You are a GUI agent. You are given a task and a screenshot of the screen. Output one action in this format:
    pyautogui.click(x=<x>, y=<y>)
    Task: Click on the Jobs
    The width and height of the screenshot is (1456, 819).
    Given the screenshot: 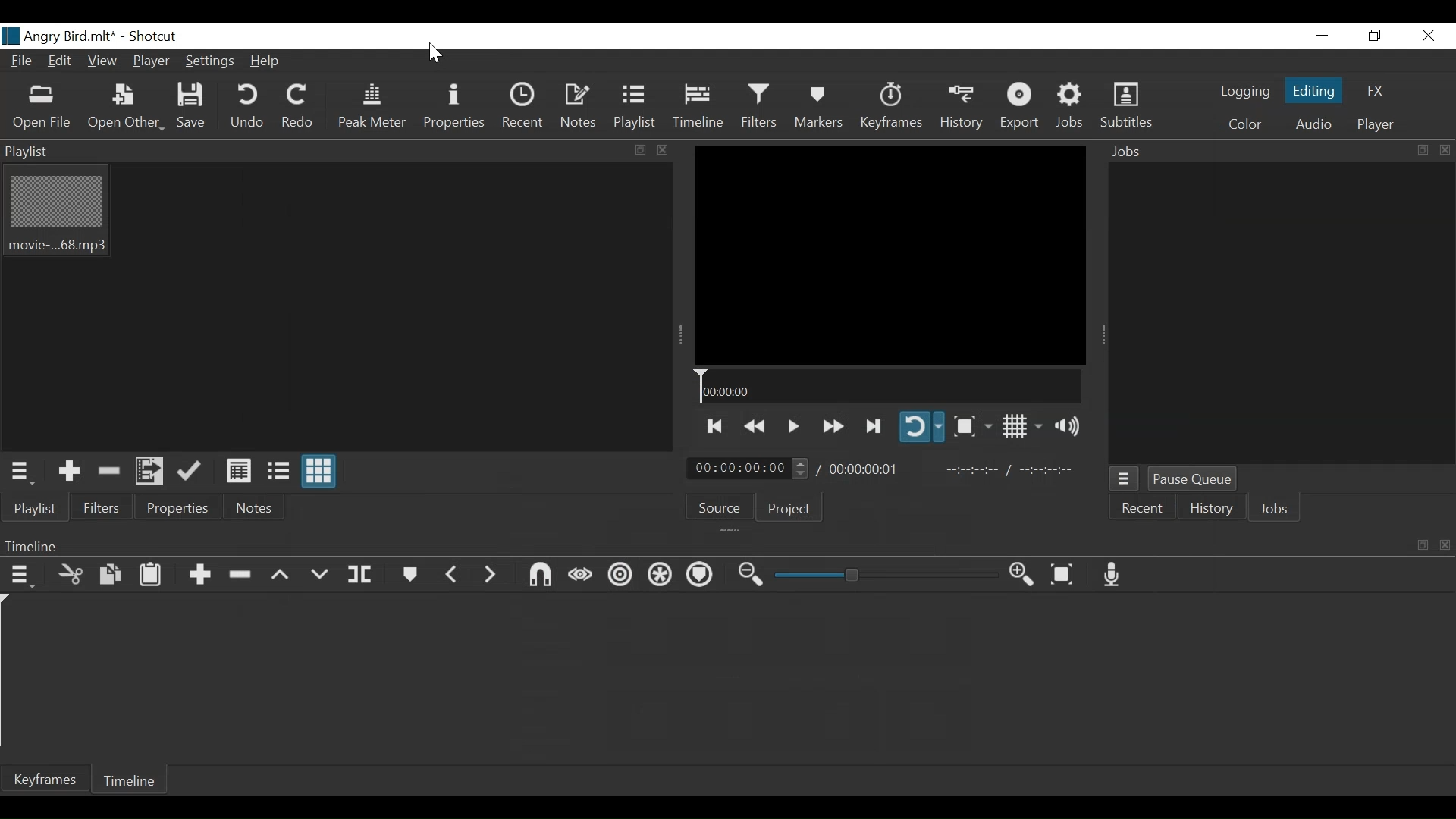 What is the action you would take?
    pyautogui.click(x=1254, y=152)
    